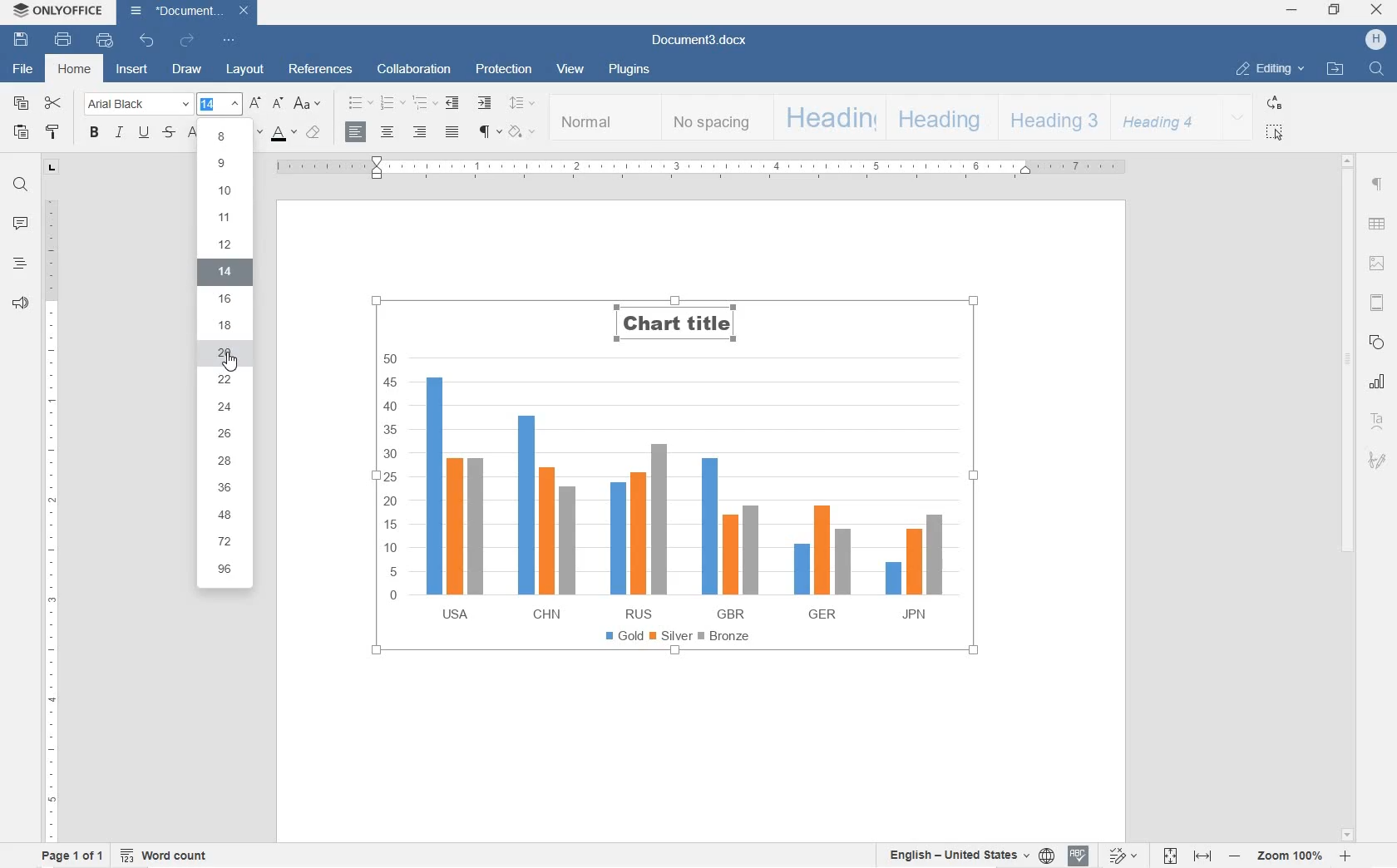 The image size is (1397, 868). I want to click on COMMENT, so click(21, 223).